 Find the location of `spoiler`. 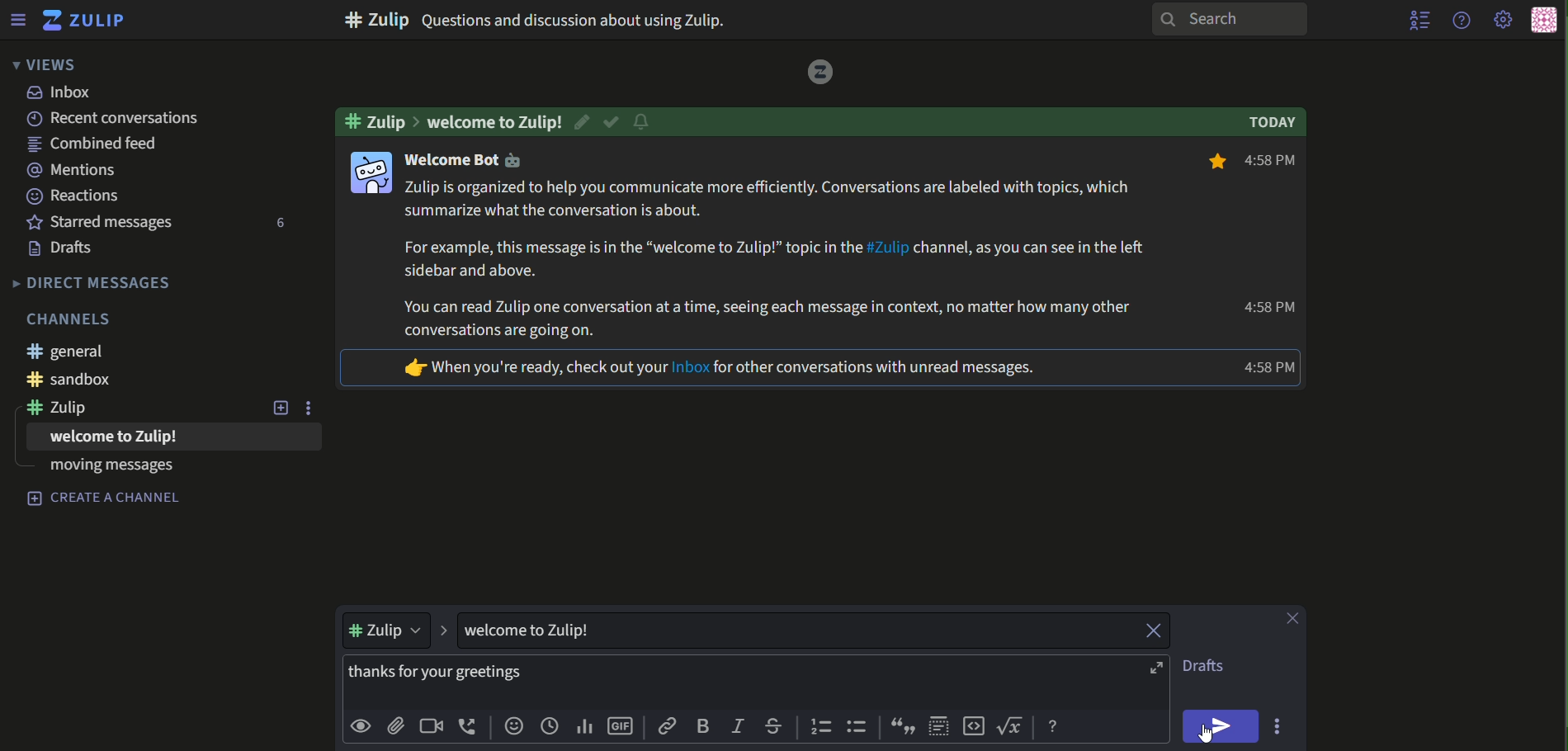

spoiler is located at coordinates (937, 727).